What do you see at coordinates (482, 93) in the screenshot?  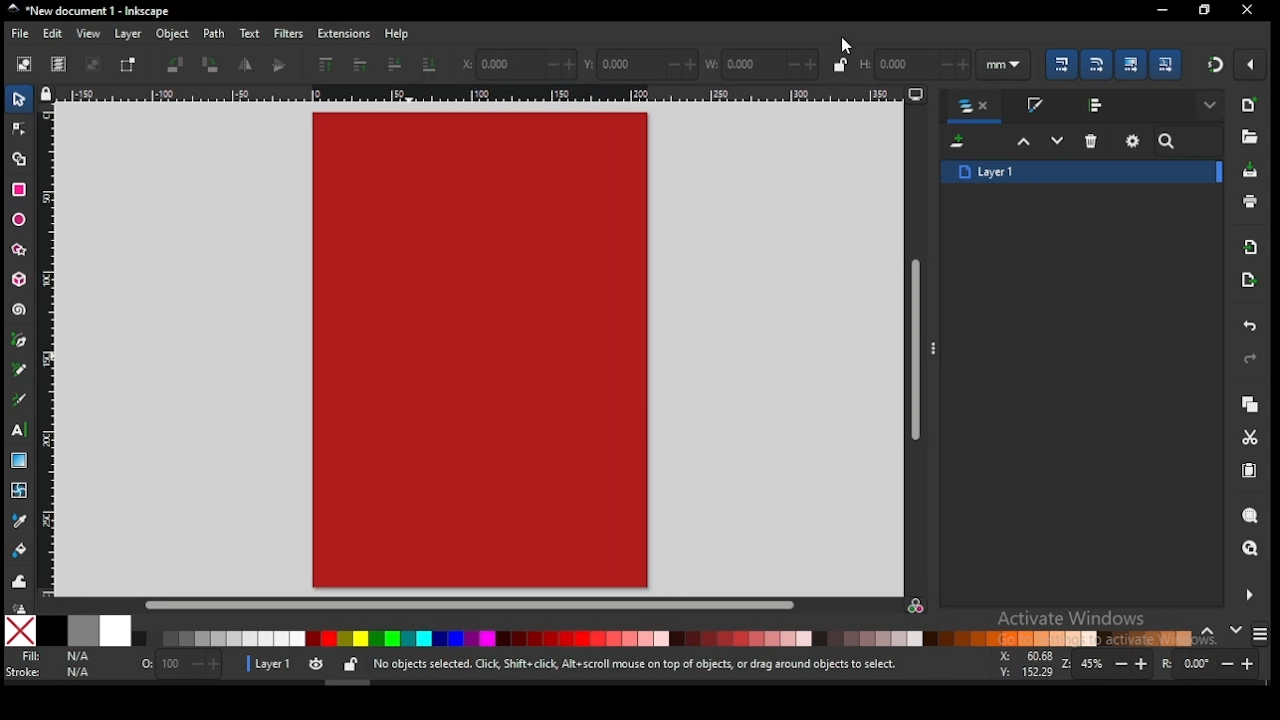 I see `horizontal ruler` at bounding box center [482, 93].